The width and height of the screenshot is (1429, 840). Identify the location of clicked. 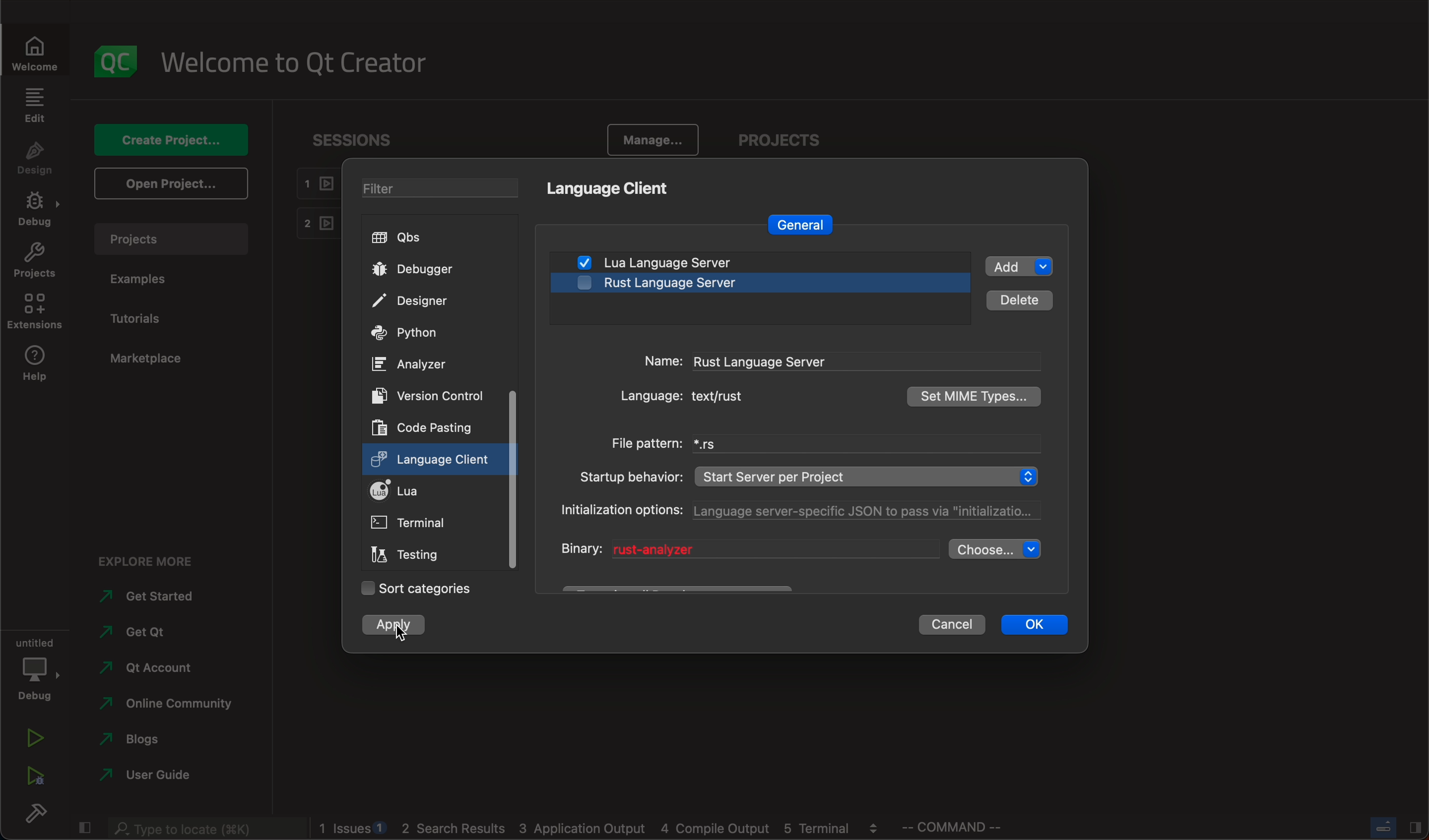
(394, 626).